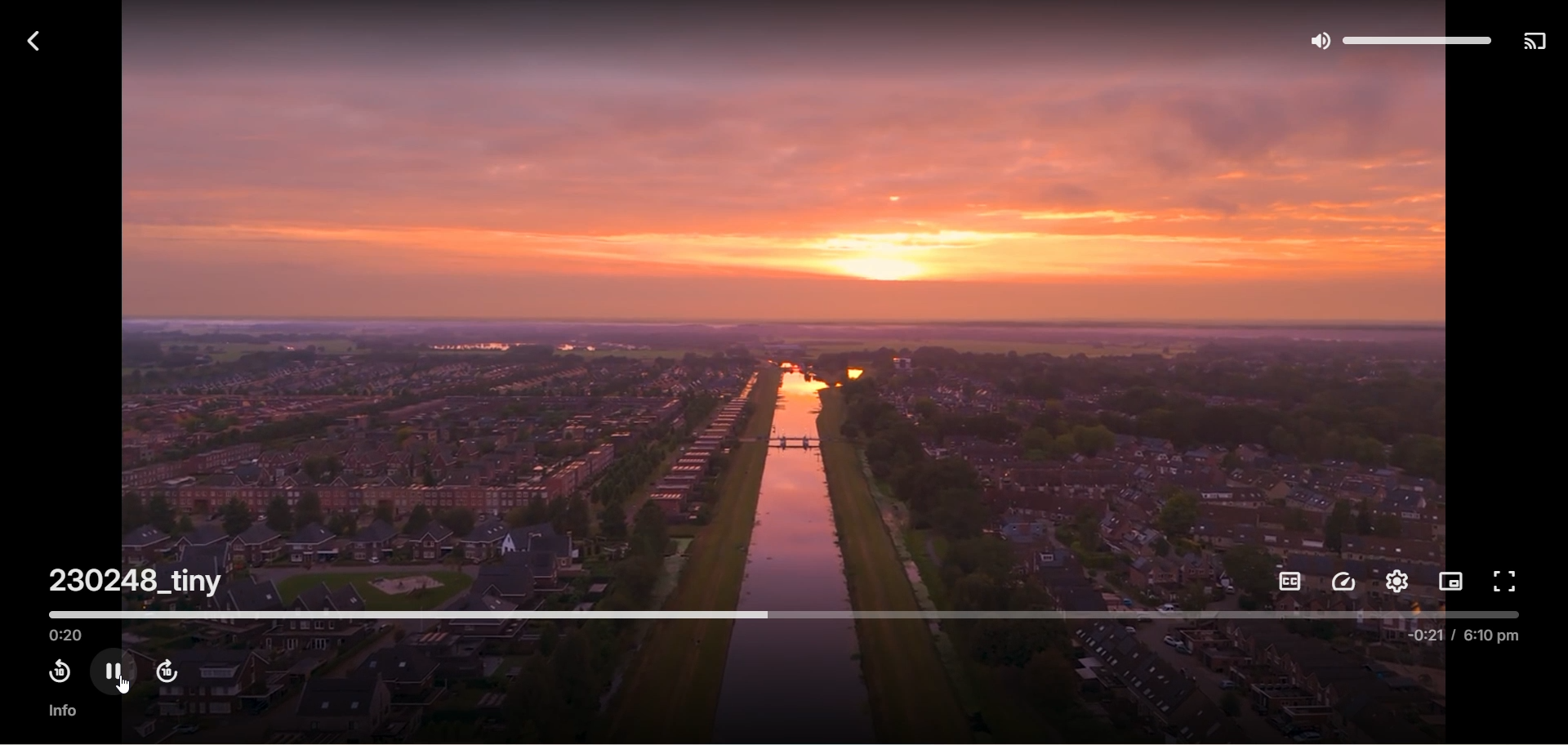 Image resolution: width=1568 pixels, height=745 pixels. Describe the element at coordinates (1506, 581) in the screenshot. I see `full screen` at that location.